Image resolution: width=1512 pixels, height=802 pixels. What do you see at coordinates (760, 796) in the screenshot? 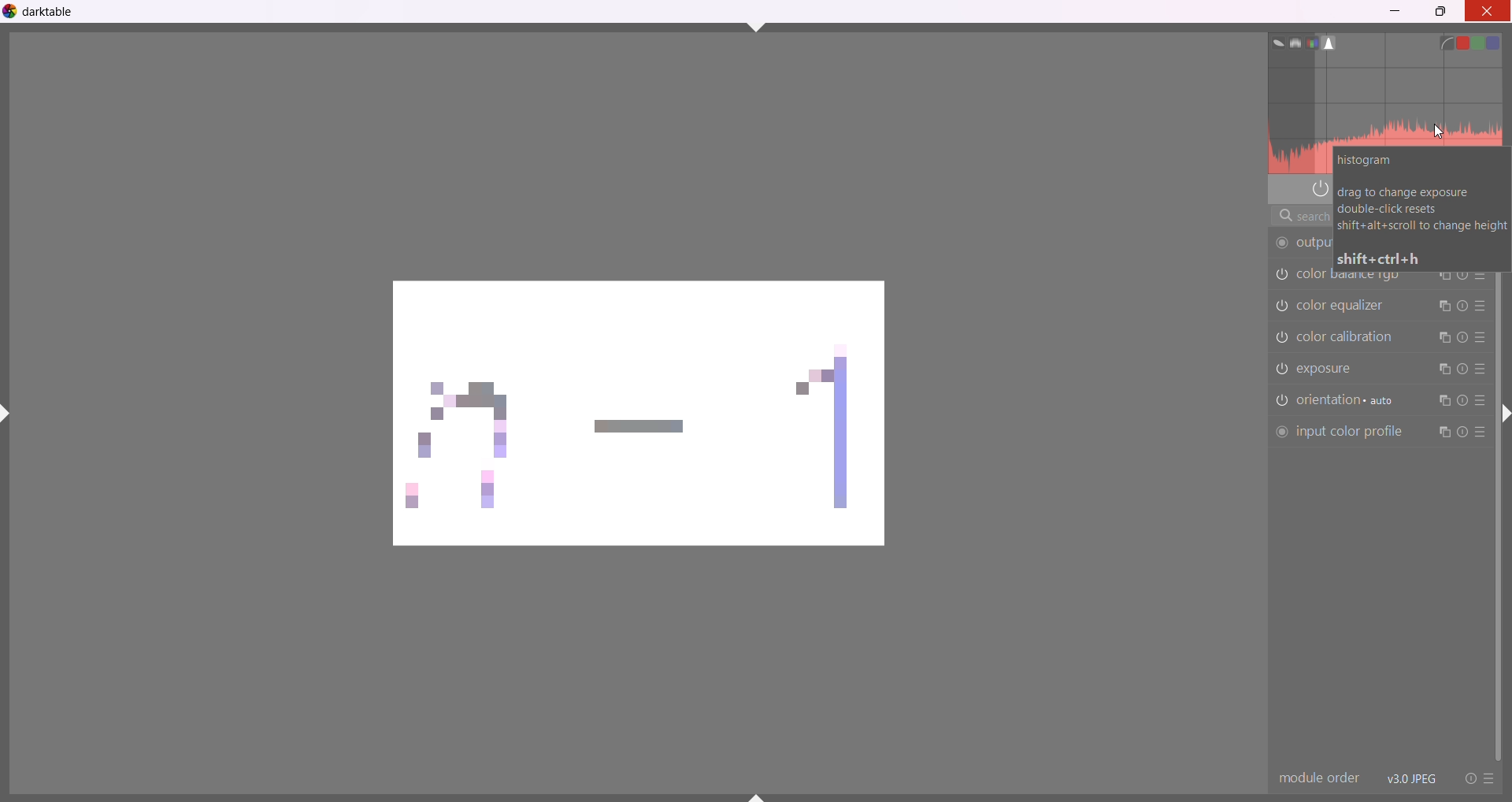
I see `shift+ctrl+b` at bounding box center [760, 796].